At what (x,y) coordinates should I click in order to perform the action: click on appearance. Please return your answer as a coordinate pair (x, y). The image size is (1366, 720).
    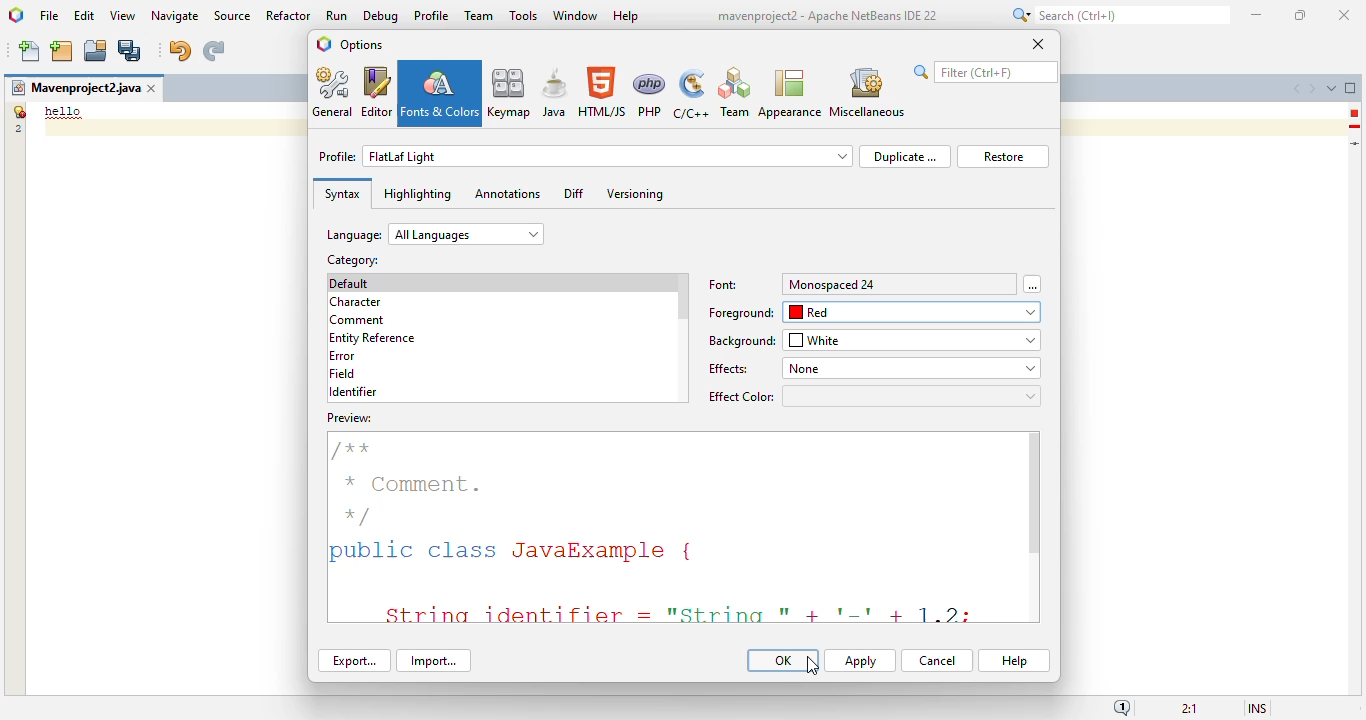
    Looking at the image, I should click on (790, 94).